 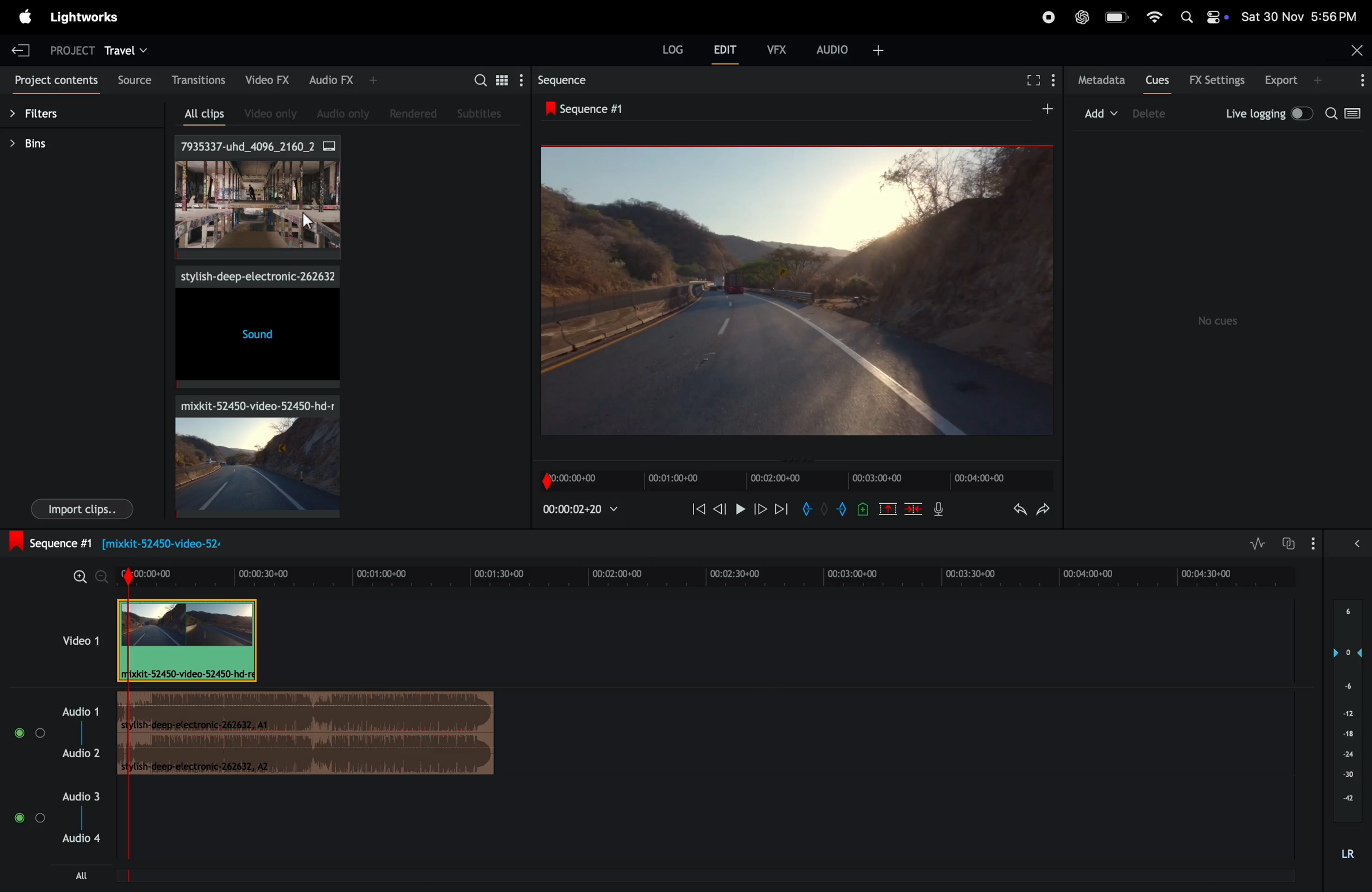 I want to click on options, so click(x=1339, y=542).